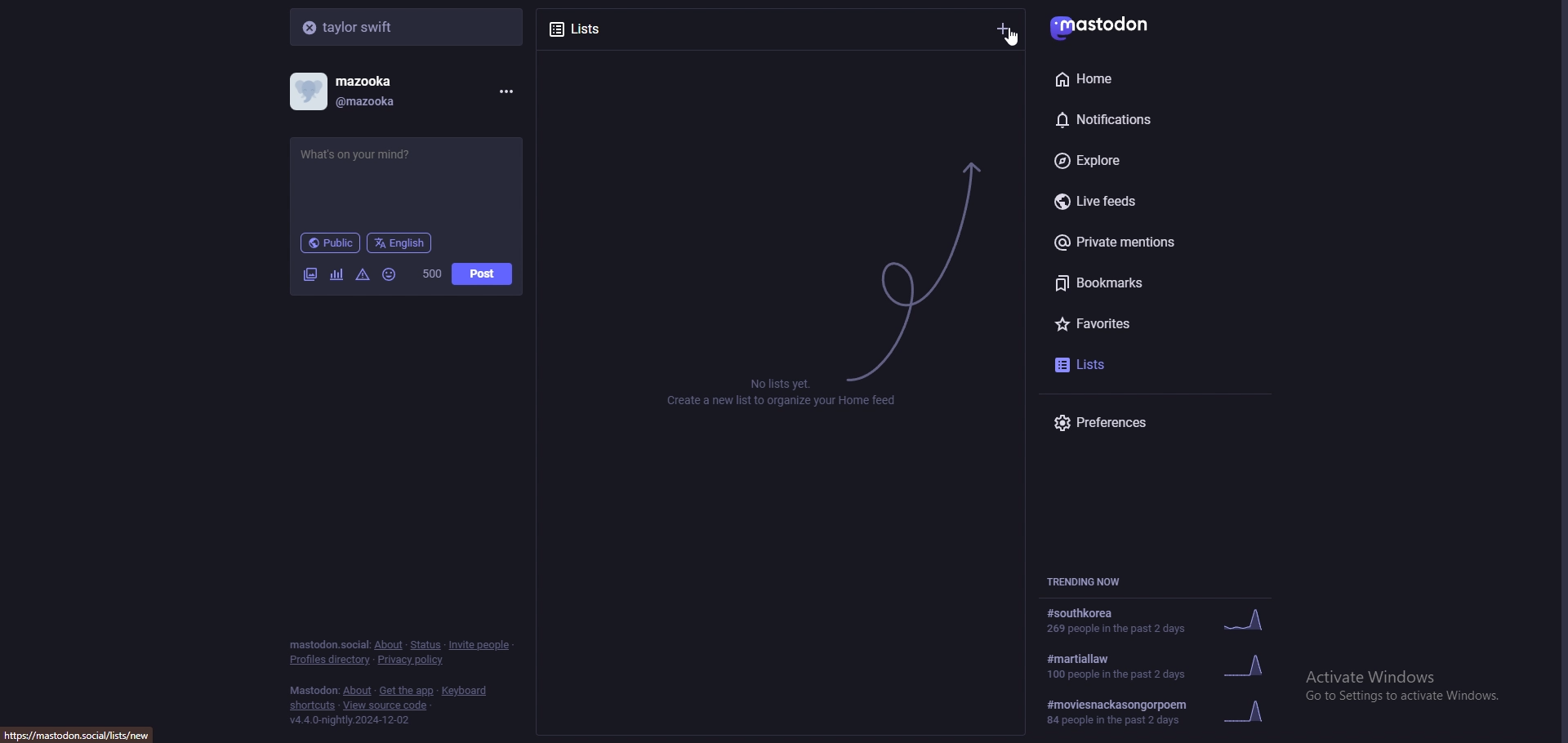  What do you see at coordinates (1160, 202) in the screenshot?
I see `live feeds` at bounding box center [1160, 202].